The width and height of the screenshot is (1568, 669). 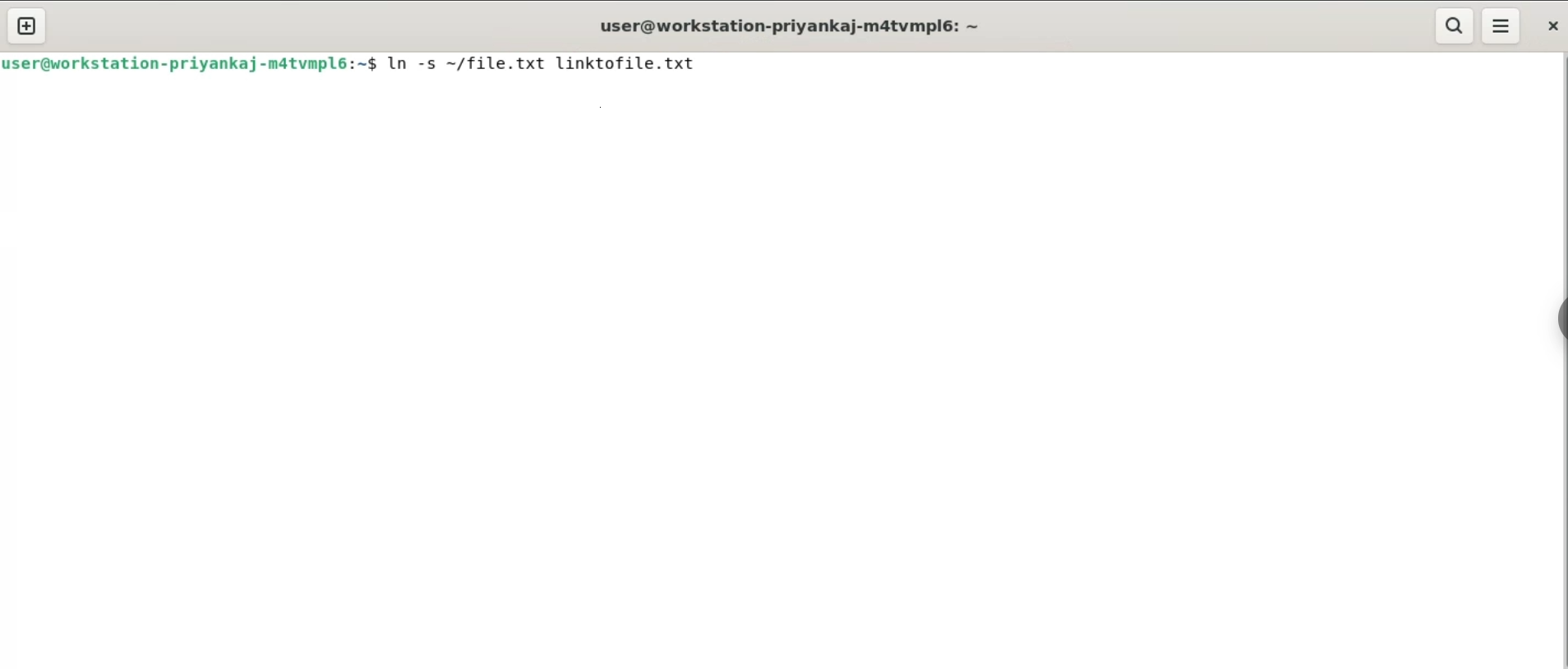 What do you see at coordinates (782, 29) in the screenshot?
I see `user@workstation-priyankaj-m4tvmplé: ~` at bounding box center [782, 29].